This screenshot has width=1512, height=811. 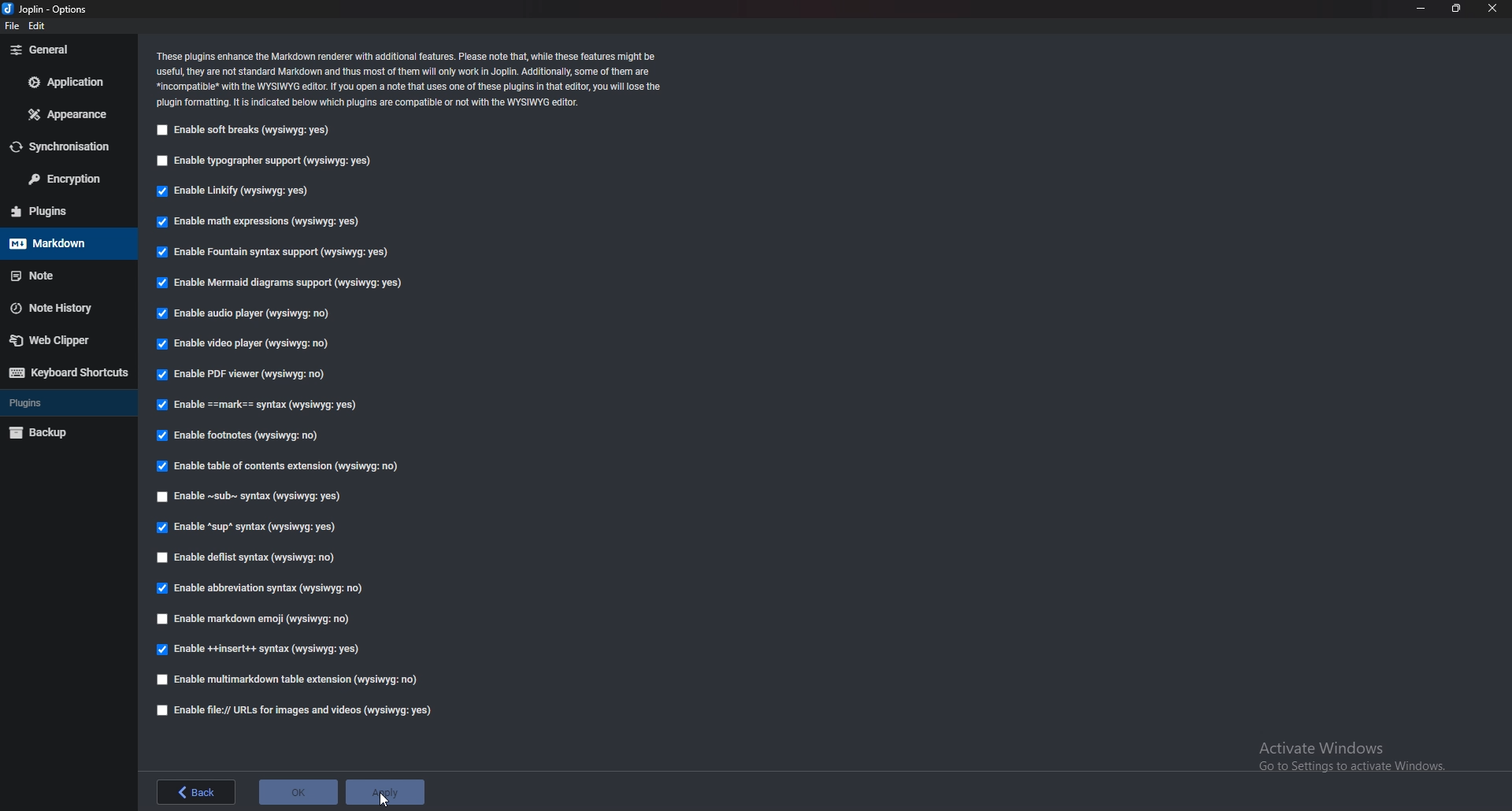 What do you see at coordinates (298, 794) in the screenshot?
I see `ok` at bounding box center [298, 794].